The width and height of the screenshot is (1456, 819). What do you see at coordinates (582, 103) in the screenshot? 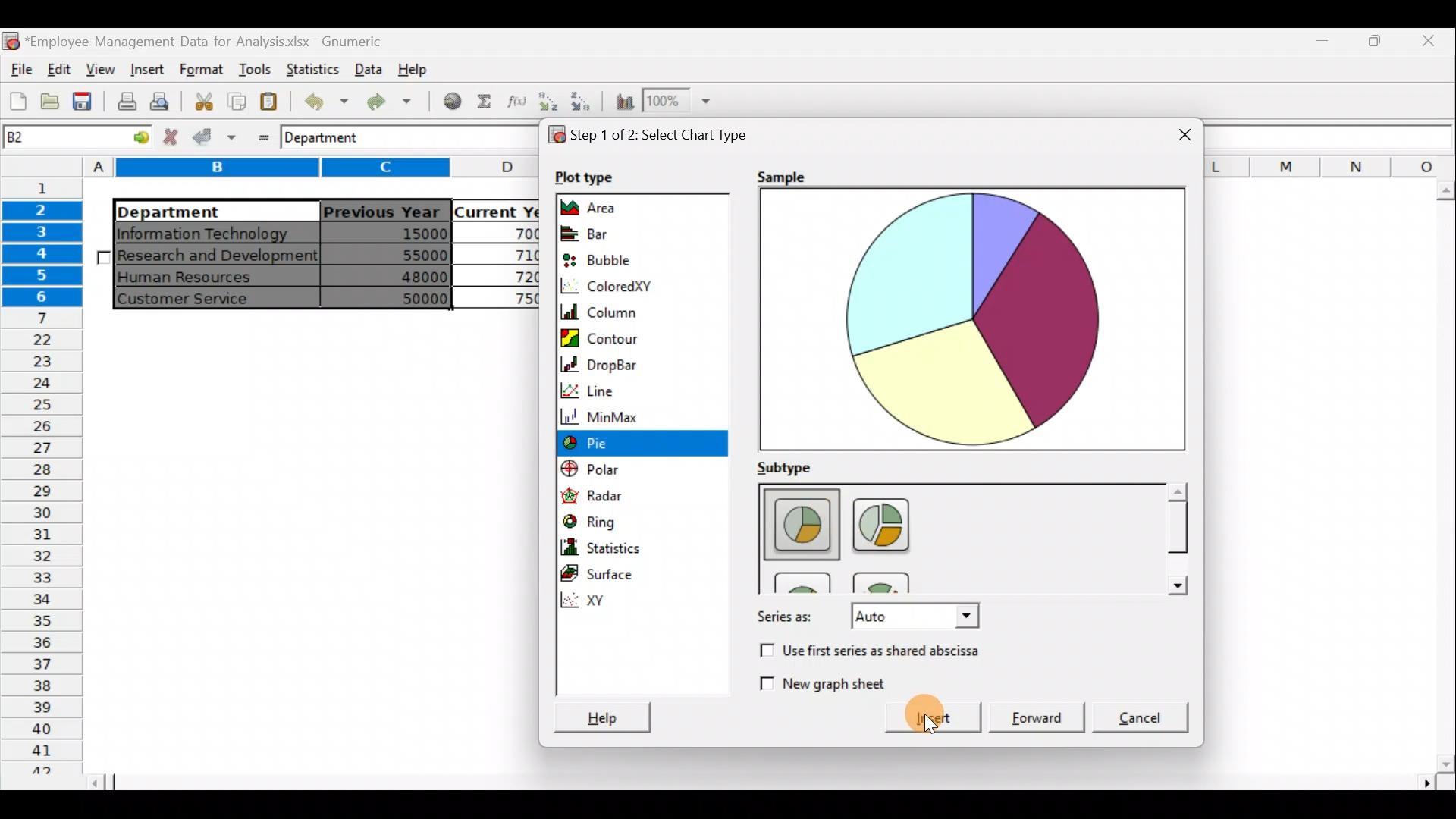
I see `Sort in descending order` at bounding box center [582, 103].